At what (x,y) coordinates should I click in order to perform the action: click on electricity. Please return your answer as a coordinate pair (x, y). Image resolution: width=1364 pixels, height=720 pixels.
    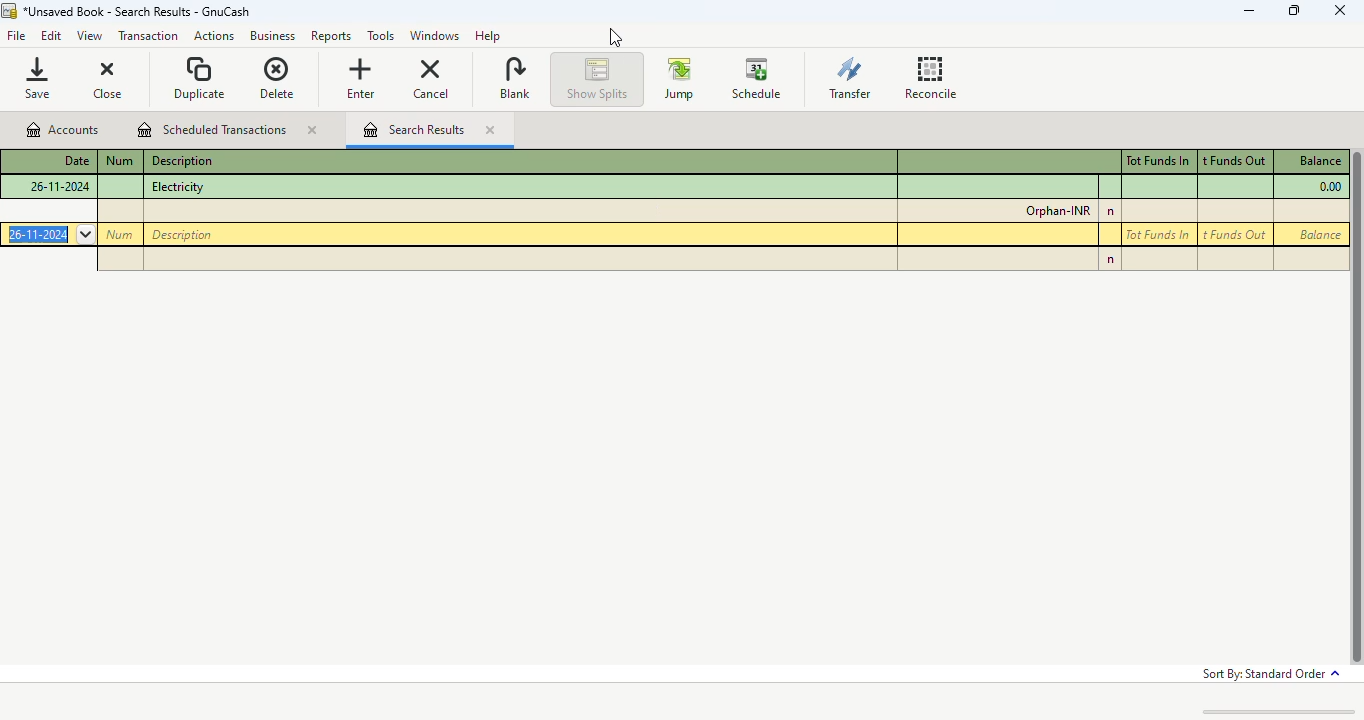
    Looking at the image, I should click on (178, 187).